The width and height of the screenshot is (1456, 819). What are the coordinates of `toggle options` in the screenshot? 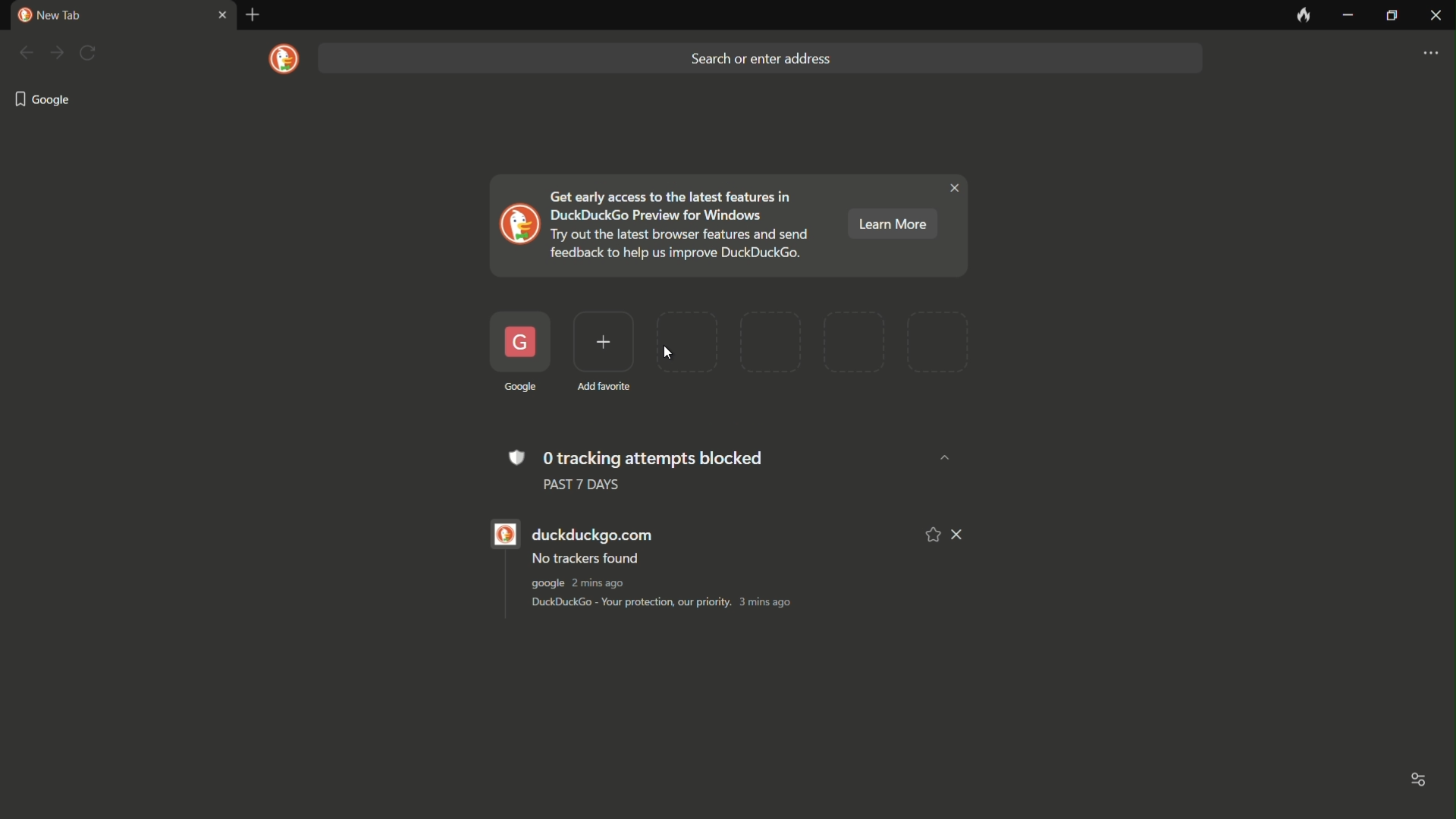 It's located at (1419, 782).